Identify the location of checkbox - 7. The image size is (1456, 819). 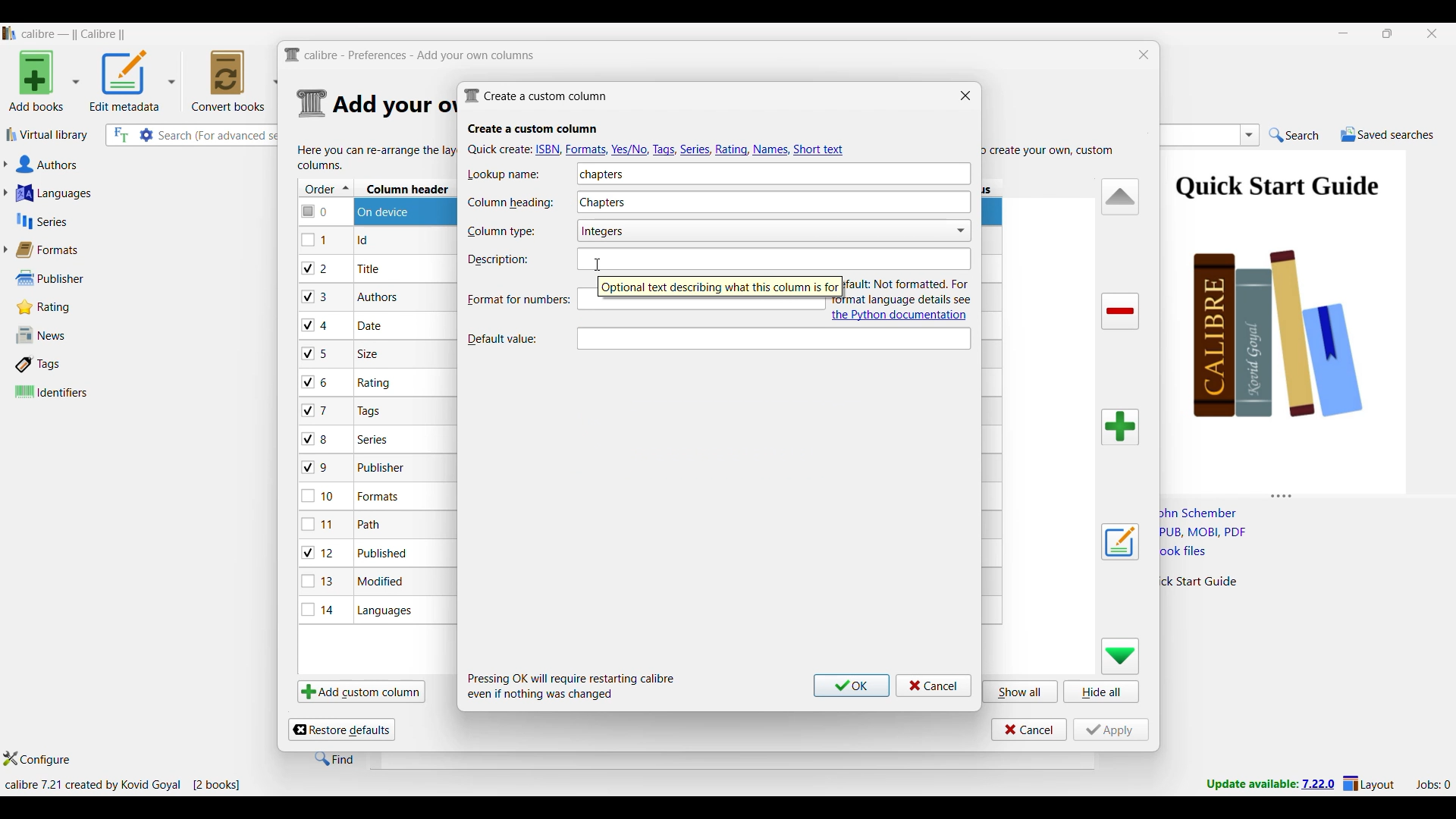
(317, 410).